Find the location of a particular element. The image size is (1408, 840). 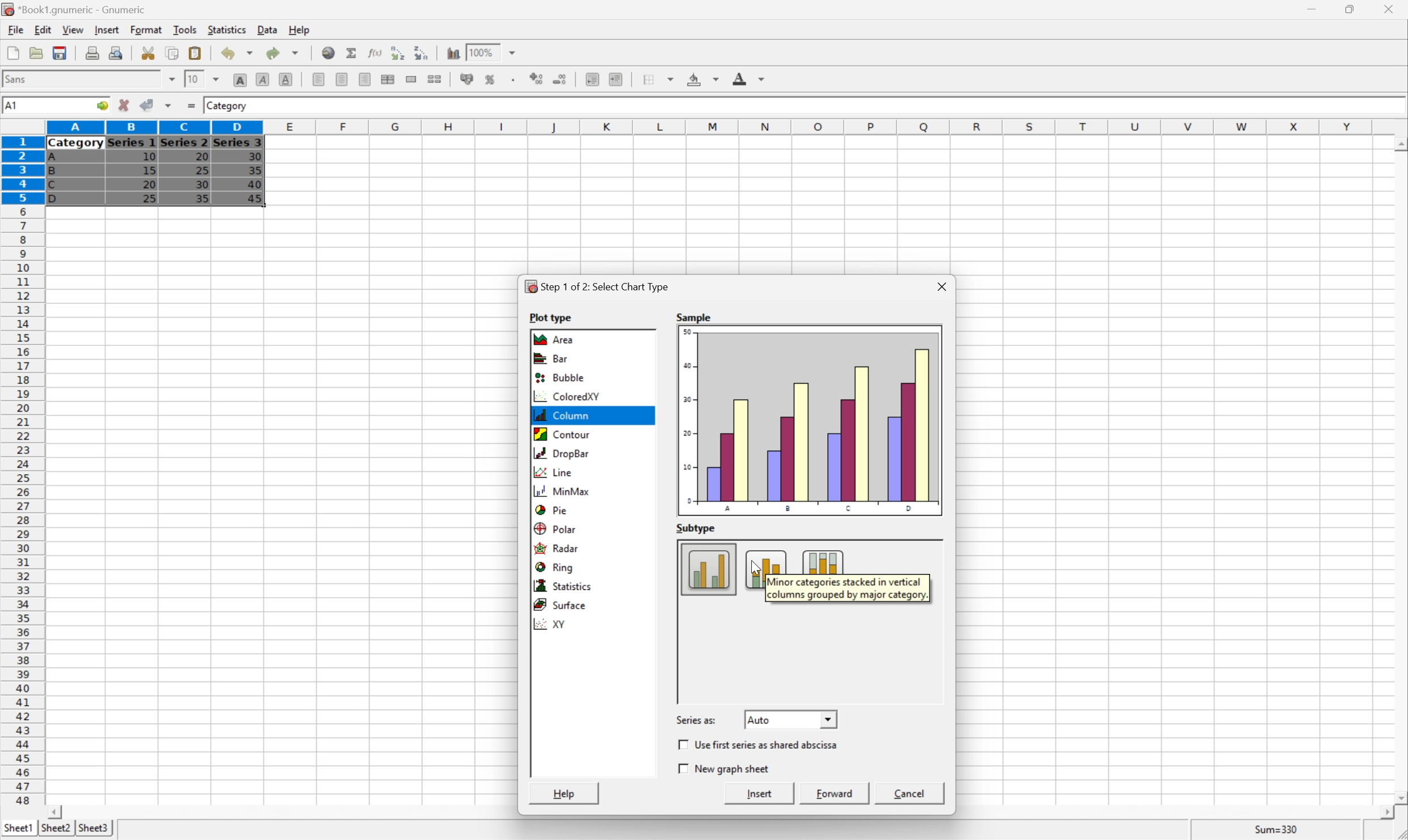

Close is located at coordinates (941, 286).